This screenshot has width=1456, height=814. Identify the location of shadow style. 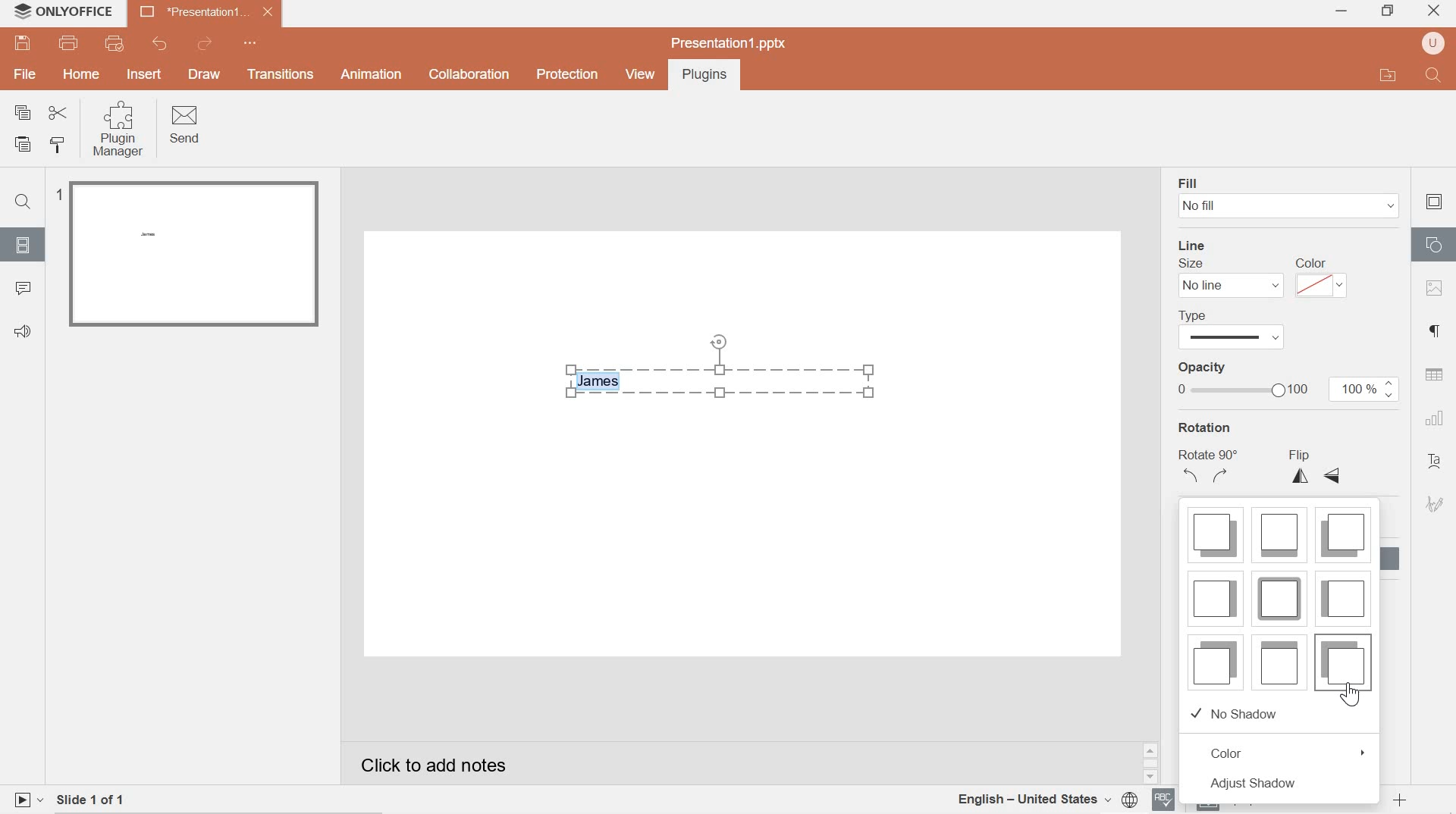
(1340, 600).